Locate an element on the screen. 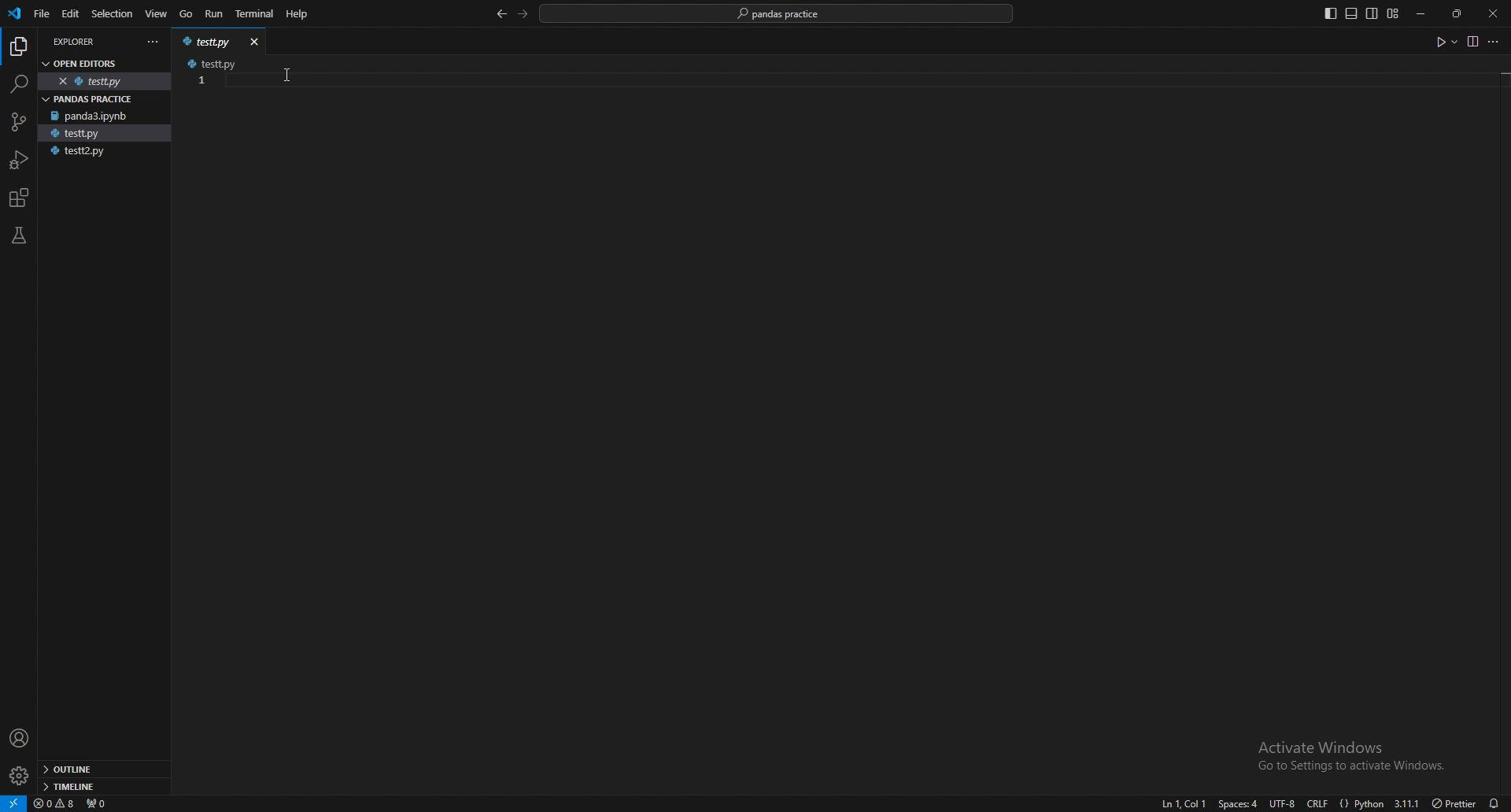  {} Python 3.11.1 is located at coordinates (1380, 800).